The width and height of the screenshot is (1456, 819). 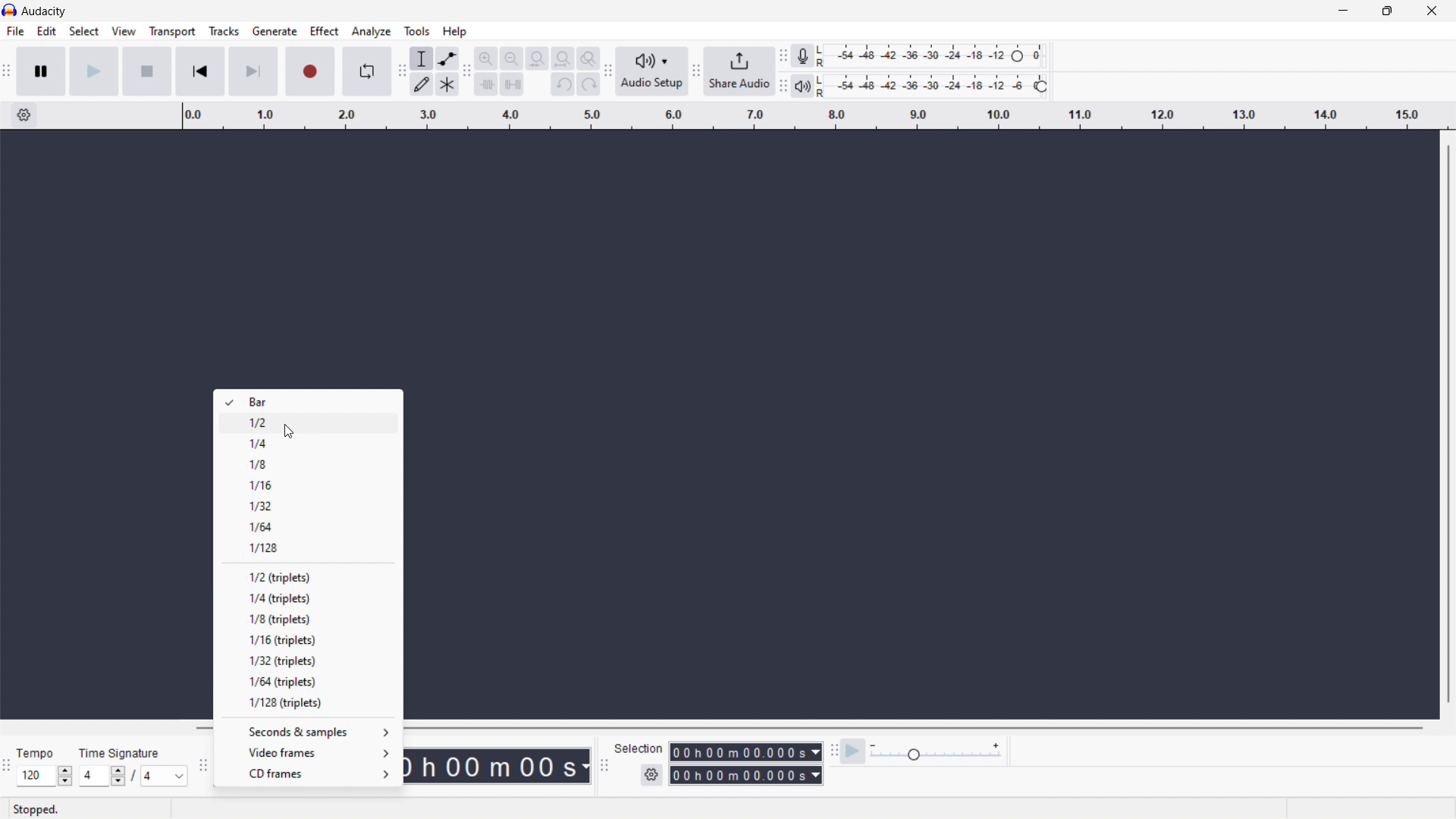 I want to click on file, so click(x=16, y=31).